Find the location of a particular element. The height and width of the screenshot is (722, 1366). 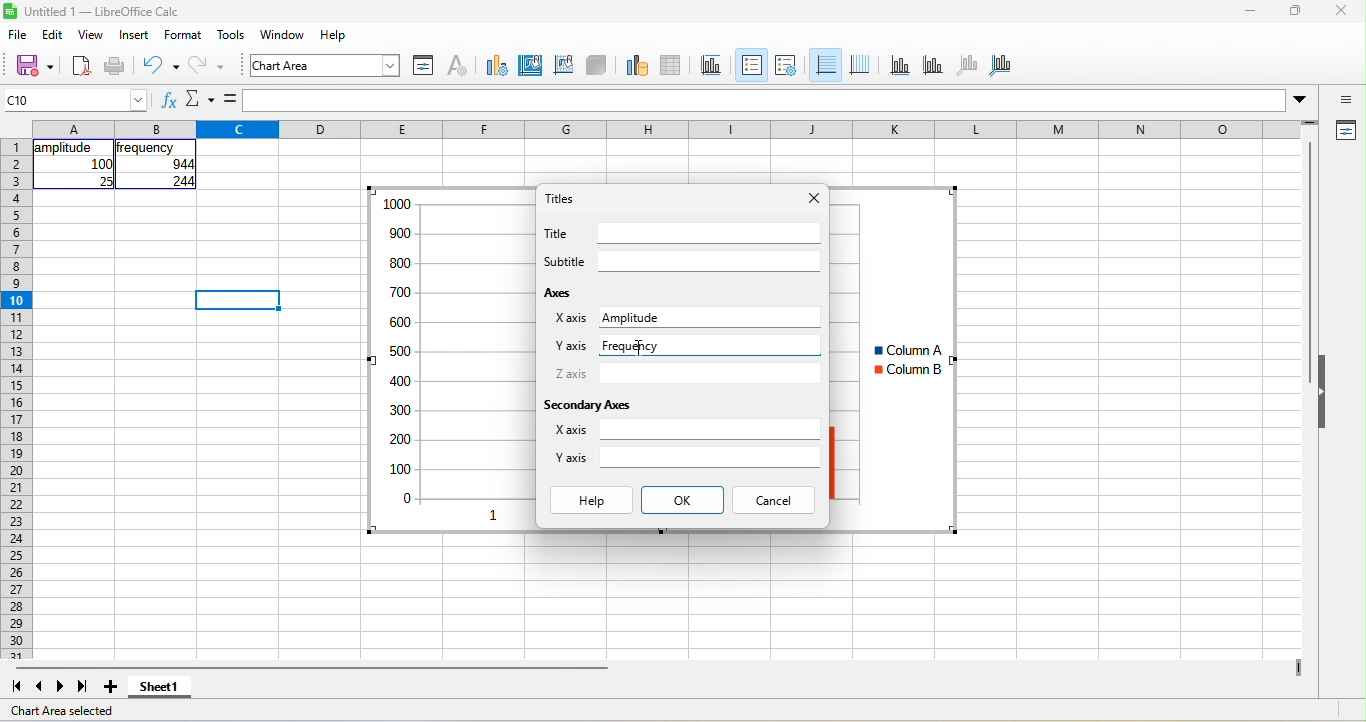

Y axis is located at coordinates (571, 346).